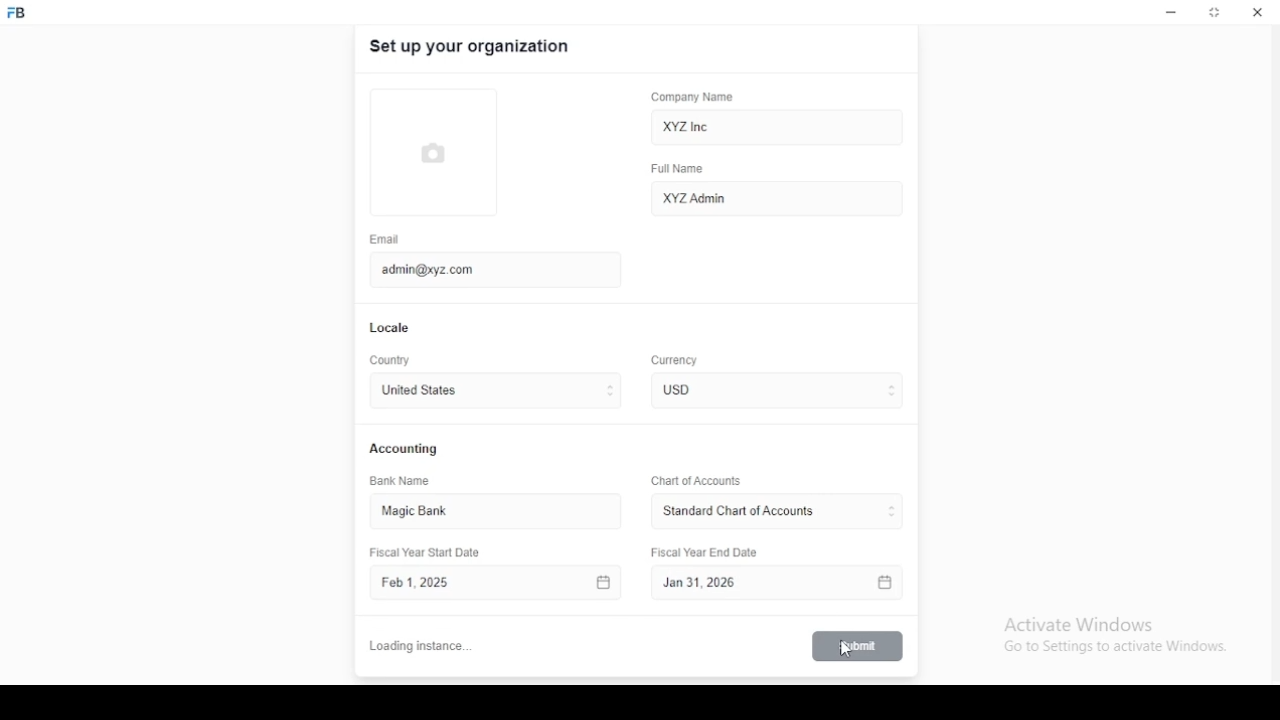 This screenshot has width=1280, height=720. What do you see at coordinates (689, 390) in the screenshot?
I see `currency` at bounding box center [689, 390].